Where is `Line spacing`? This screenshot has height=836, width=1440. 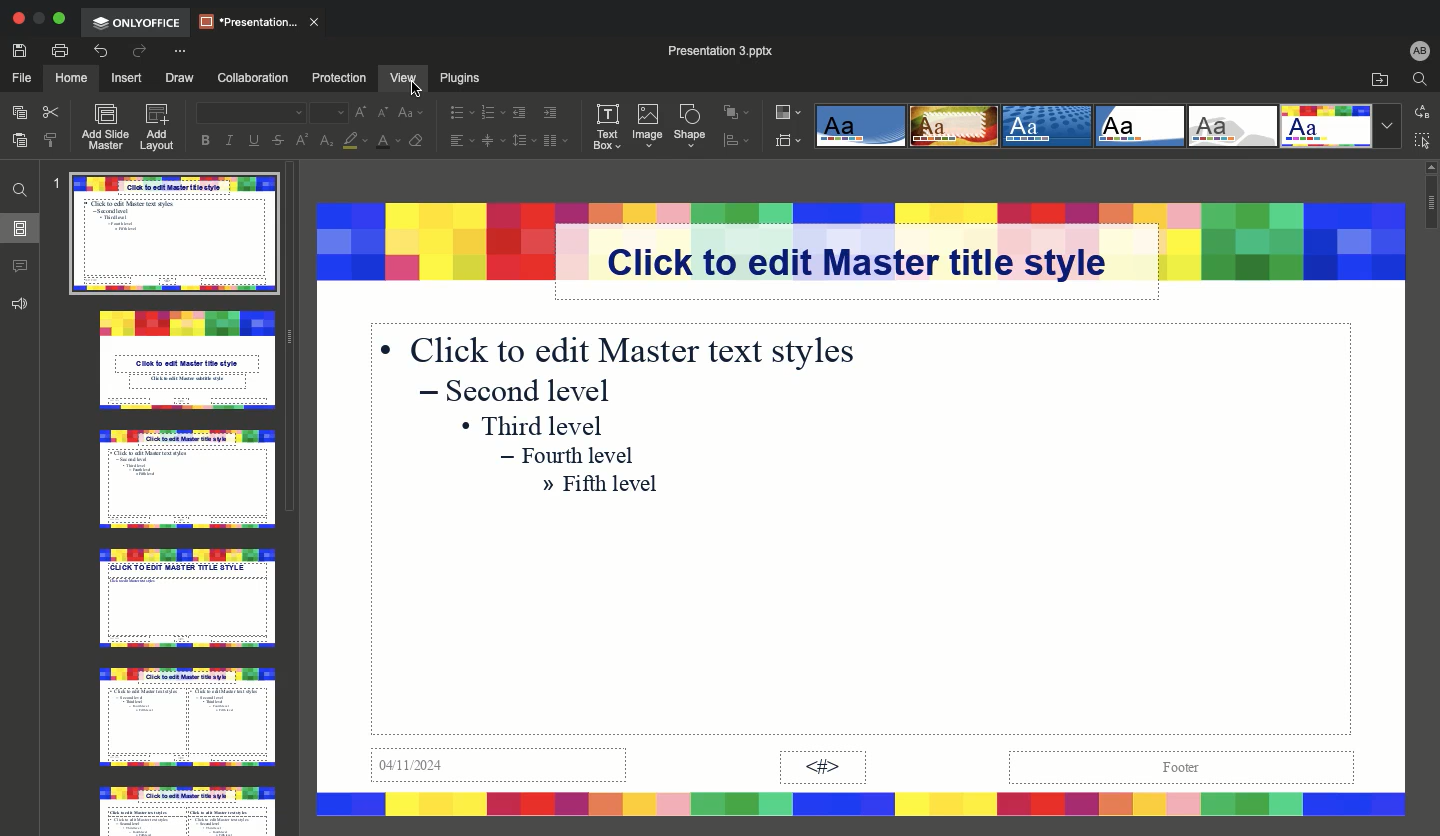 Line spacing is located at coordinates (519, 142).